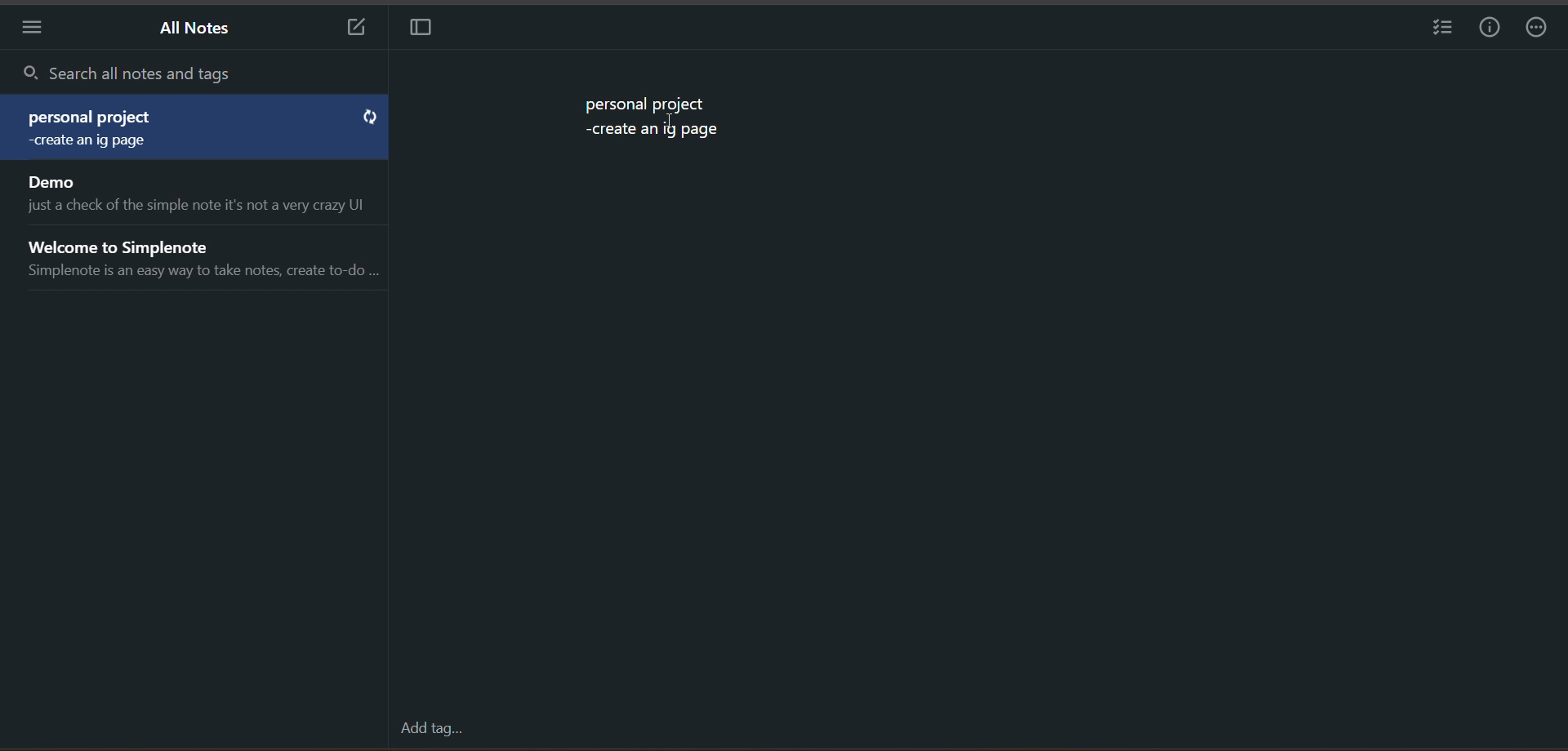 The image size is (1568, 751). What do you see at coordinates (348, 29) in the screenshot?
I see `new note` at bounding box center [348, 29].